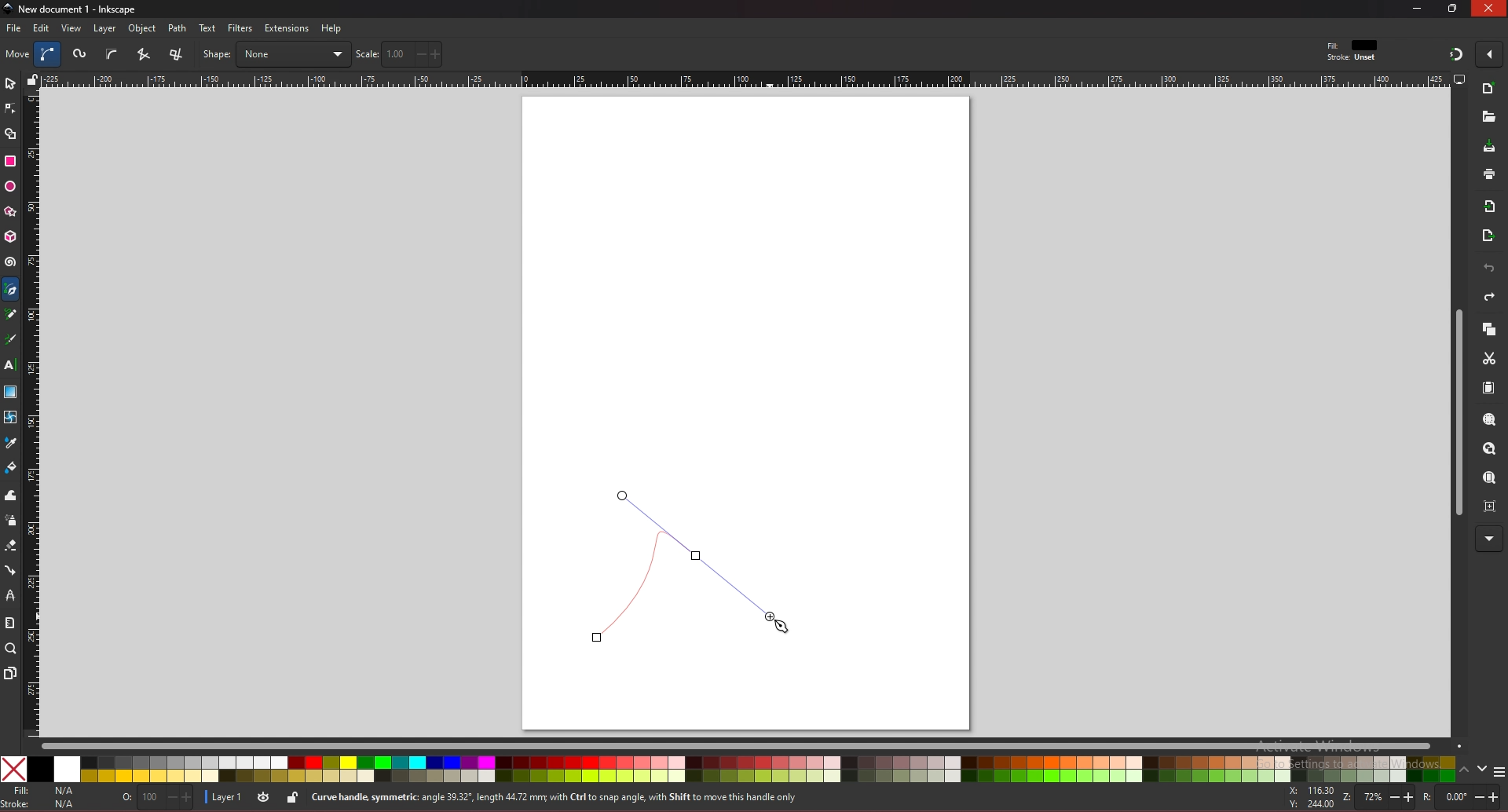 The image size is (1508, 812). What do you see at coordinates (399, 53) in the screenshot?
I see `scale` at bounding box center [399, 53].